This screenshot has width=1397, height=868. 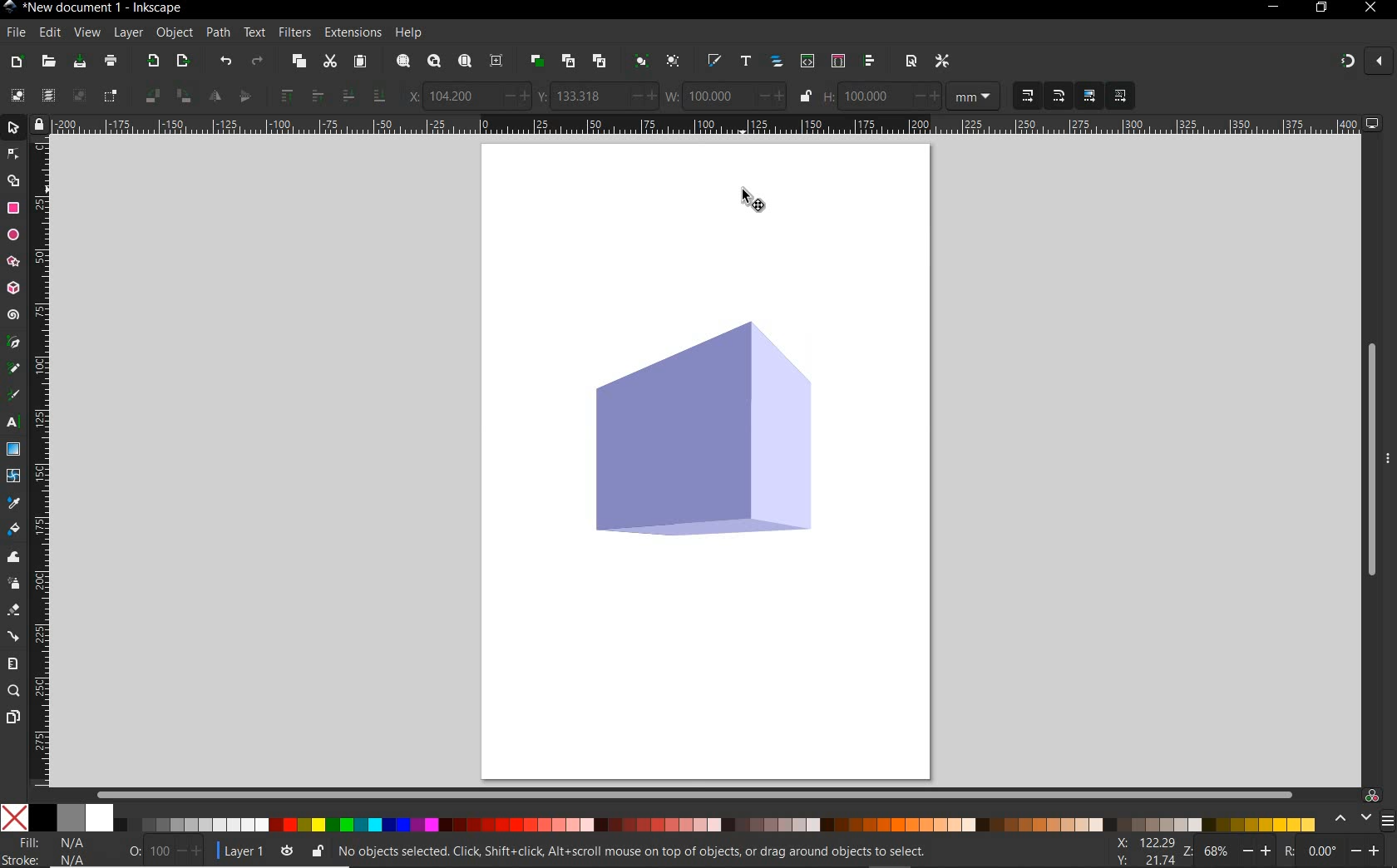 I want to click on cursor coordinates, so click(x=1146, y=851).